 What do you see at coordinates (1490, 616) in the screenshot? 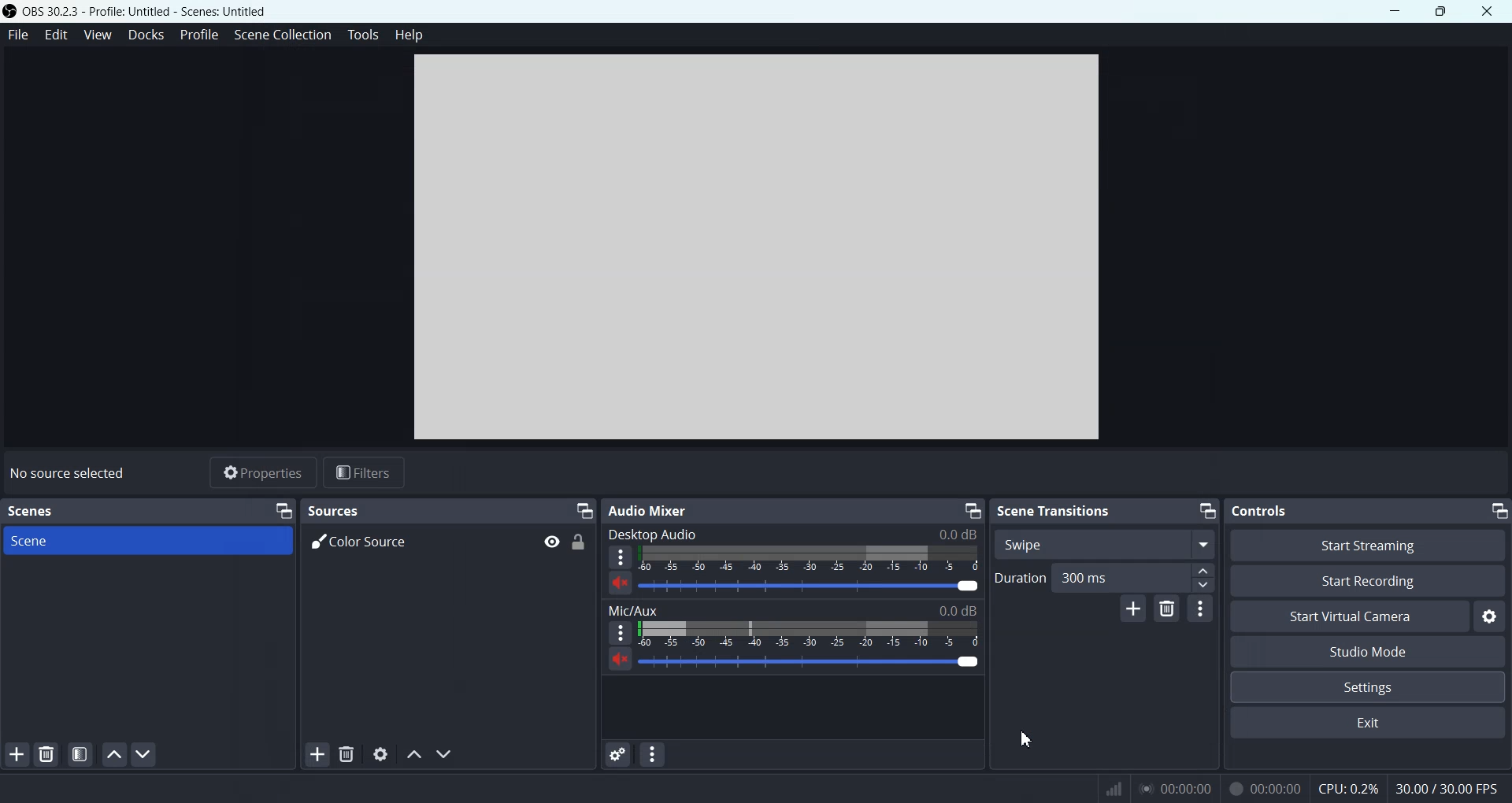
I see `Settings` at bounding box center [1490, 616].